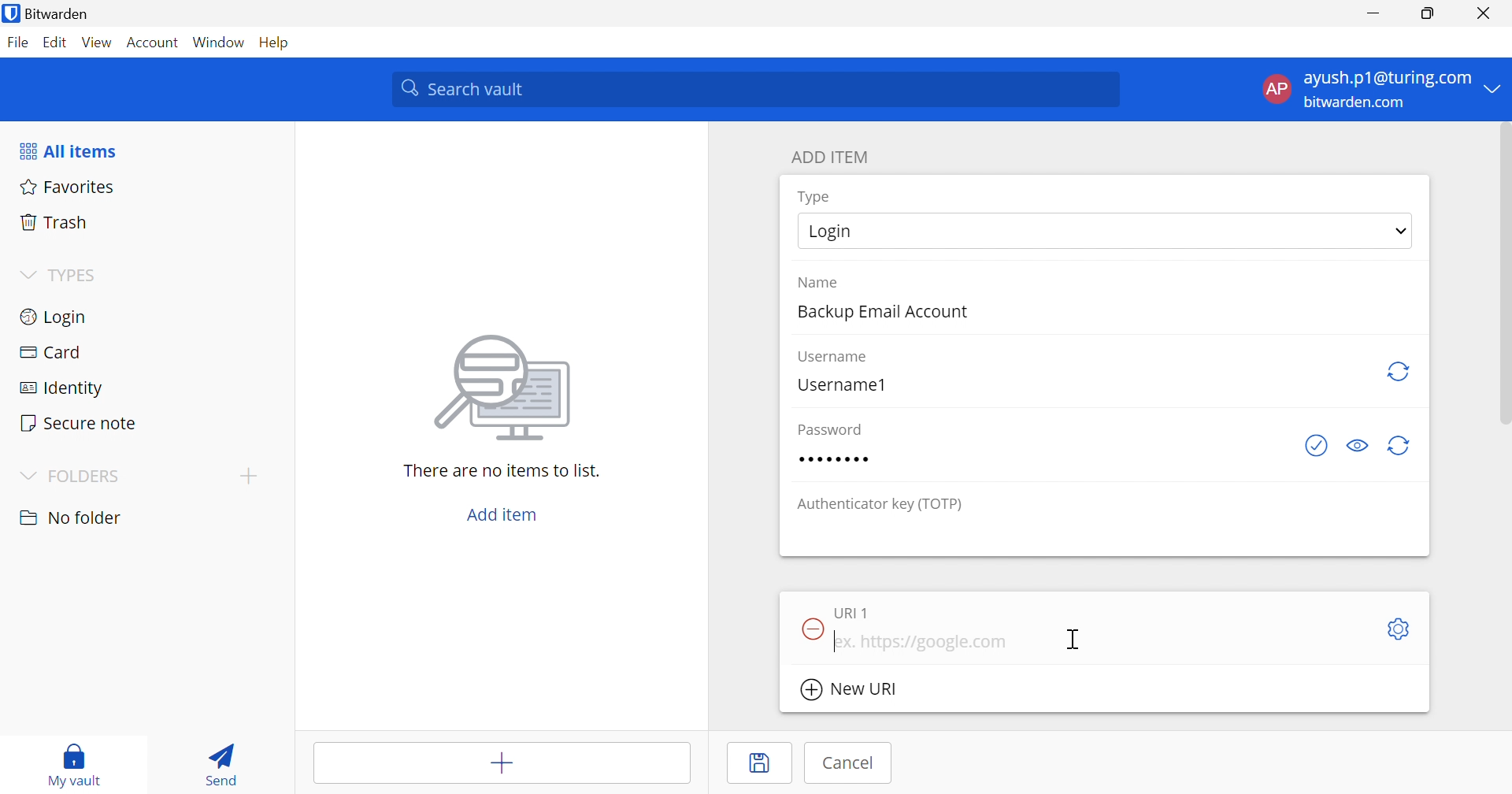 Image resolution: width=1512 pixels, height=794 pixels. I want to click on Close, so click(1484, 13).